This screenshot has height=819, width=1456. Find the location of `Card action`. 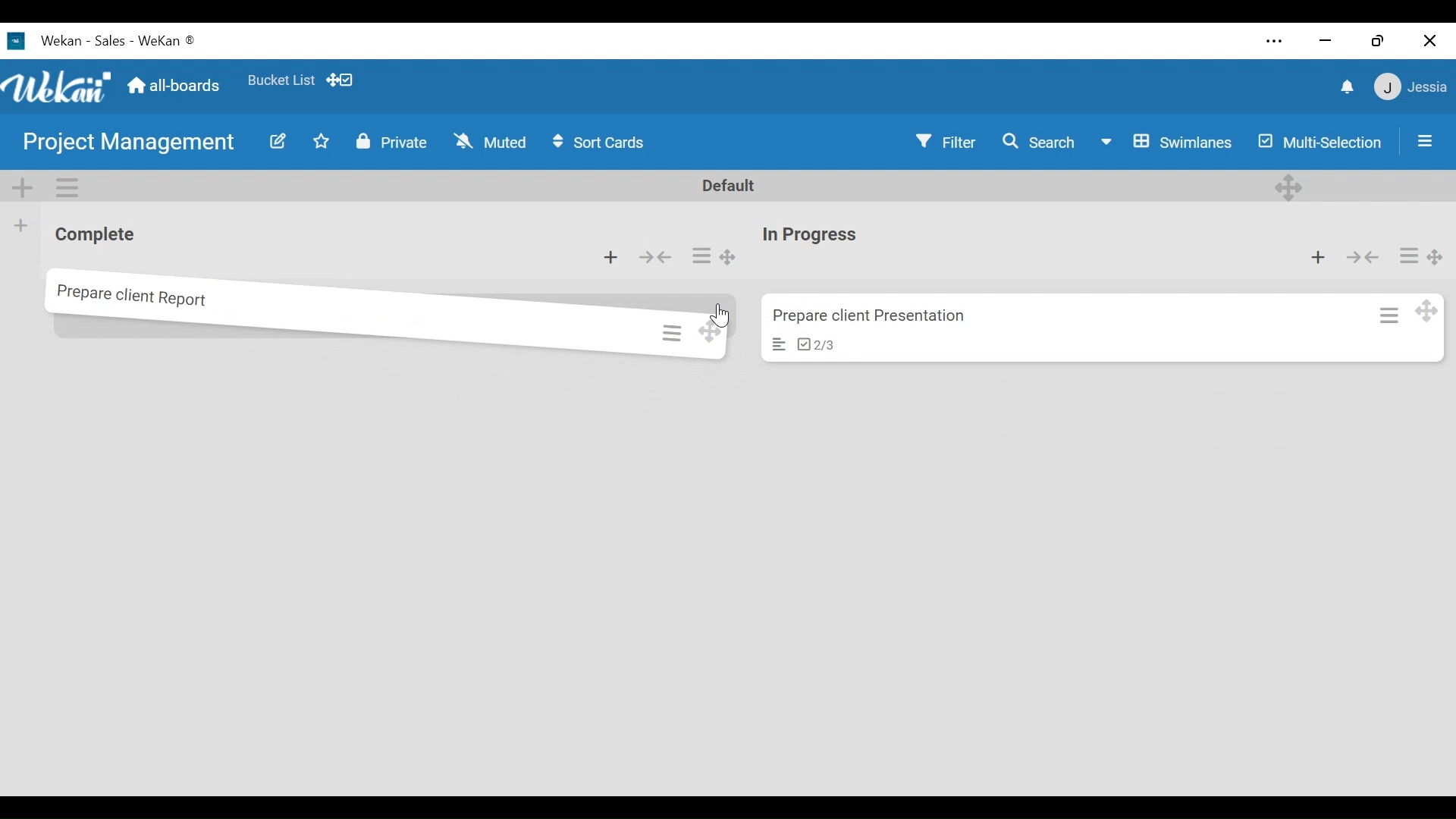

Card action is located at coordinates (1385, 319).